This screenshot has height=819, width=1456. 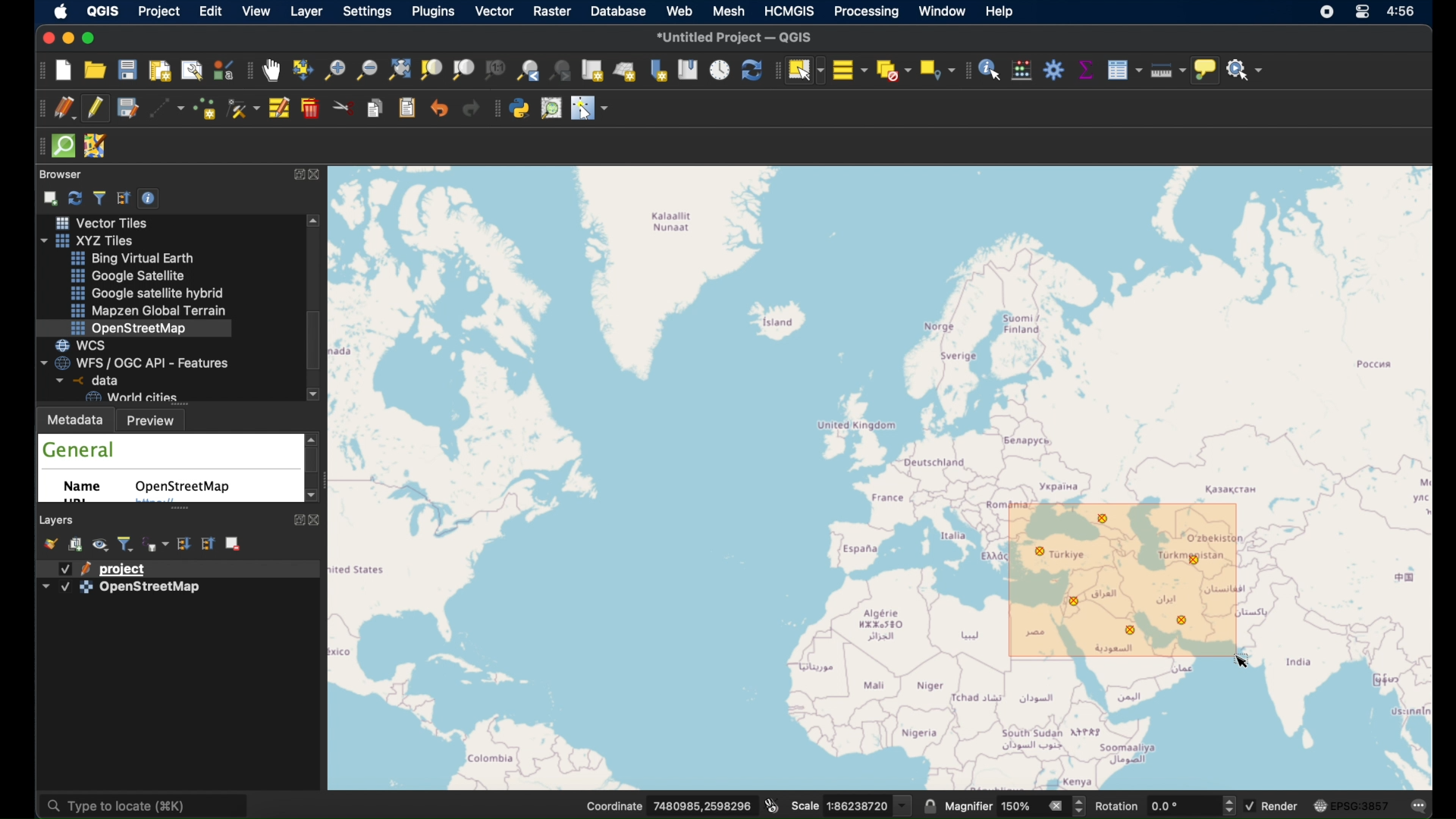 I want to click on no action selected, so click(x=1246, y=71).